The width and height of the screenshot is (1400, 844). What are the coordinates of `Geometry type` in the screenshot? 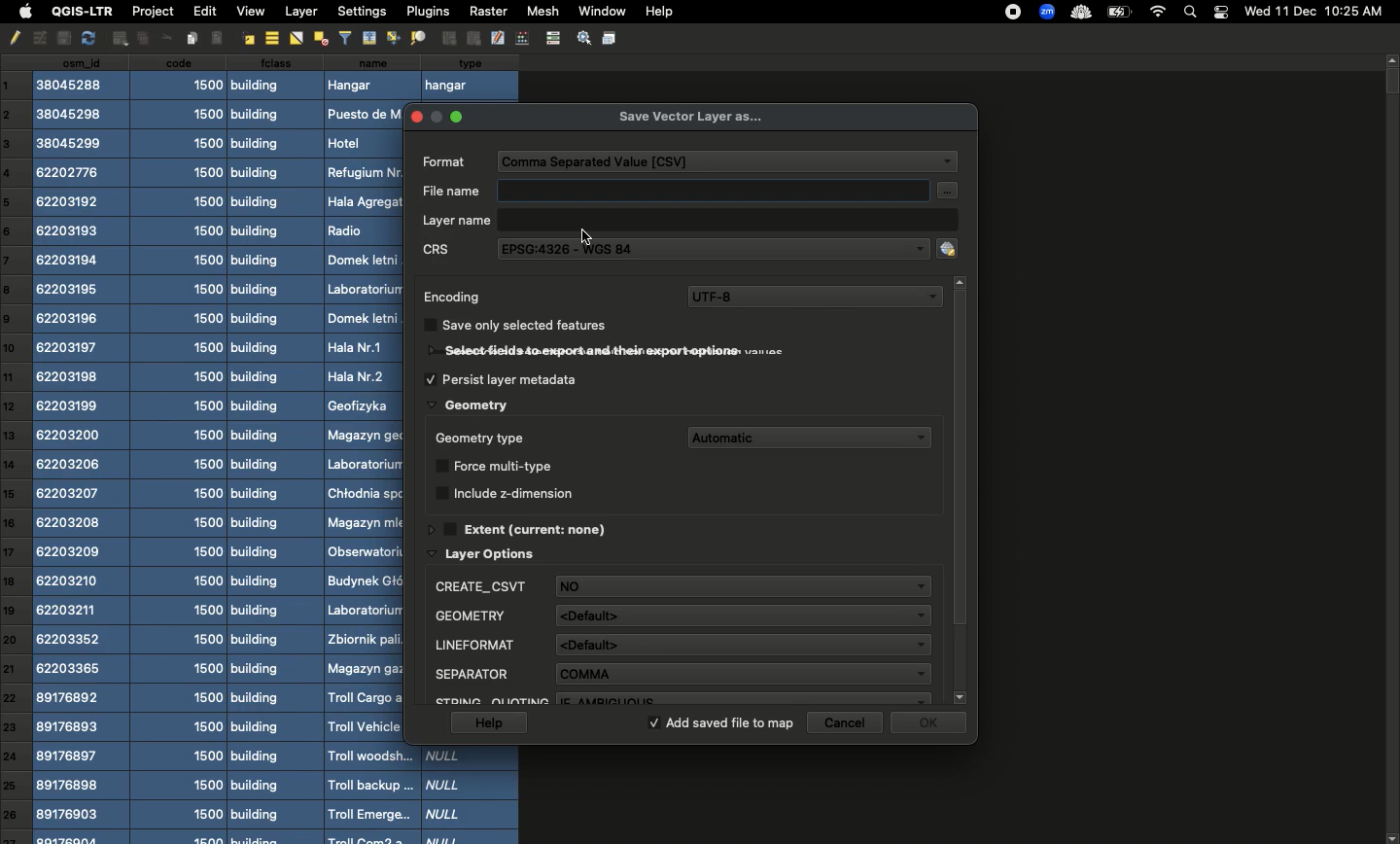 It's located at (485, 436).